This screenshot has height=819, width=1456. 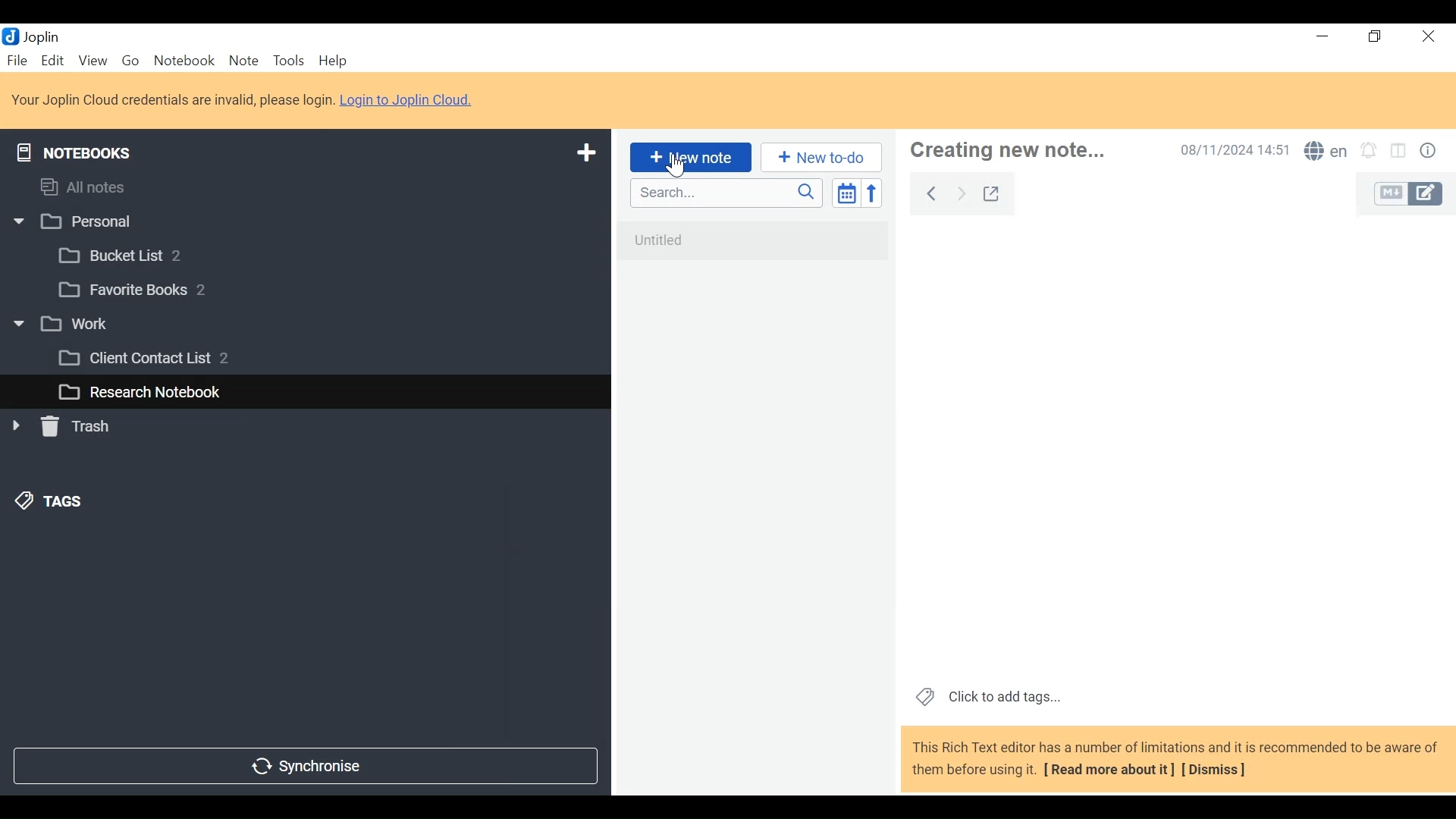 What do you see at coordinates (287, 61) in the screenshot?
I see `Tools` at bounding box center [287, 61].